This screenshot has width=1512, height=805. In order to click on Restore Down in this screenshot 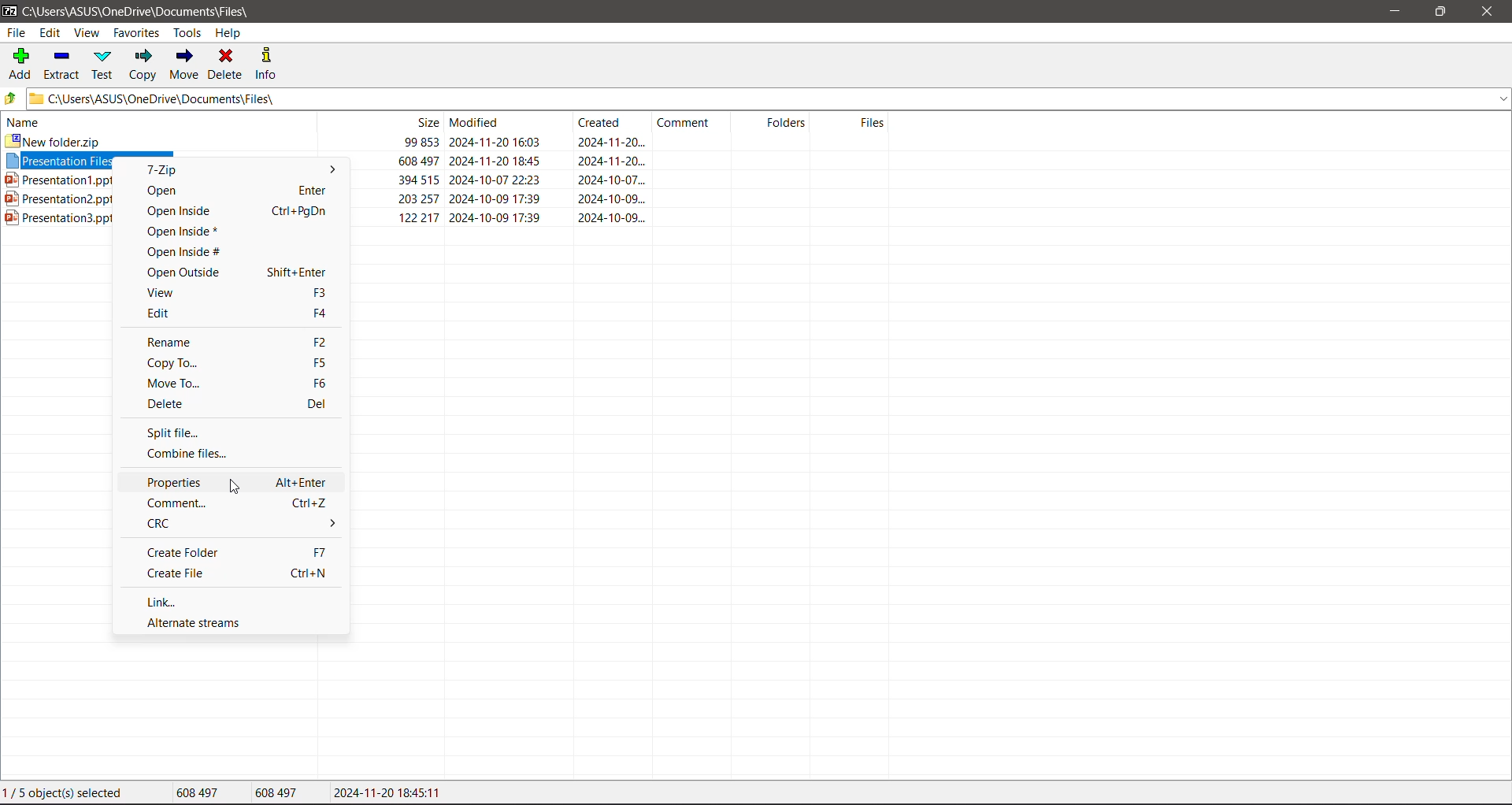, I will do `click(1443, 11)`.